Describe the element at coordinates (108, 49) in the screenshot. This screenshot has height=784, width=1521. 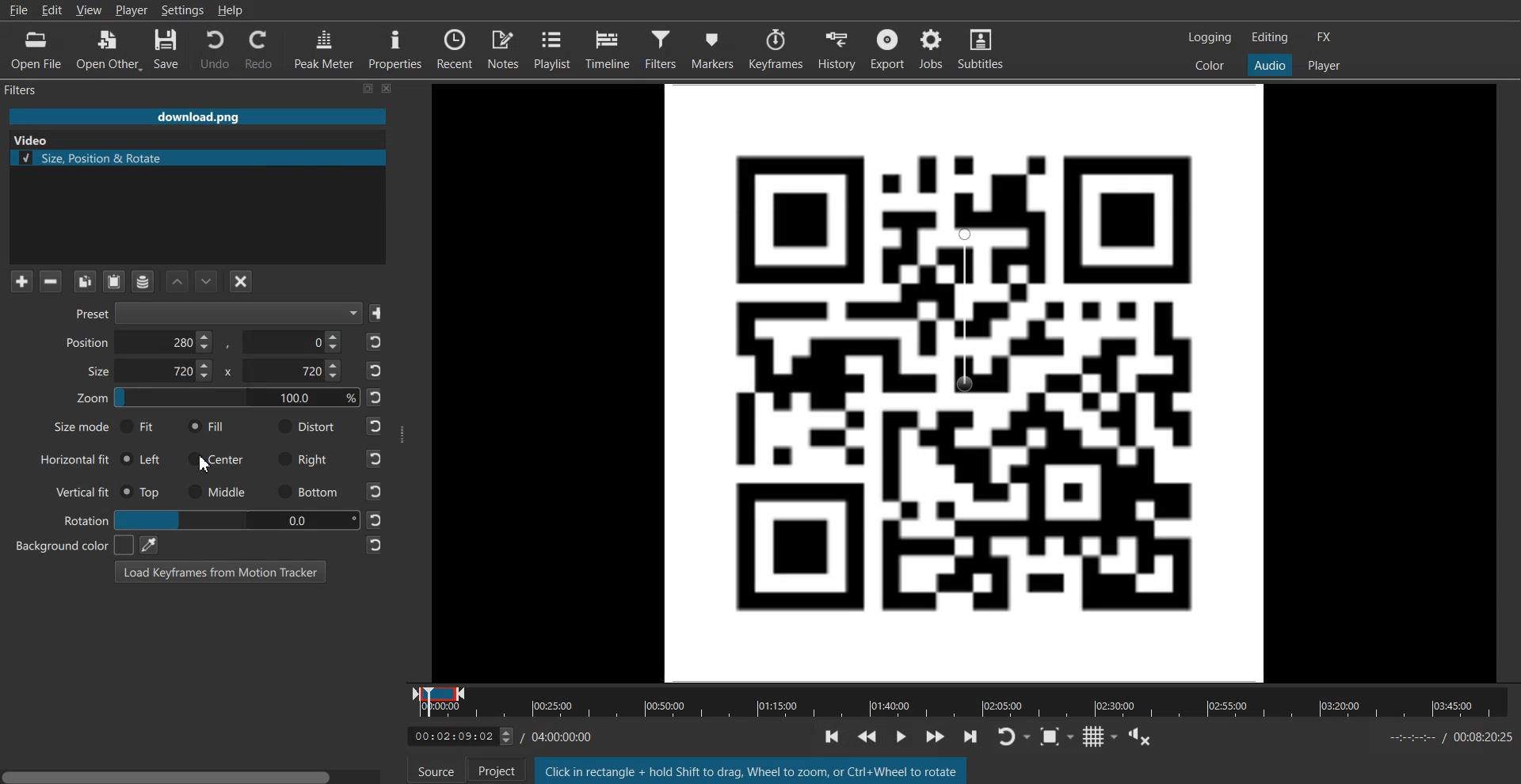
I see `Open Other` at that location.